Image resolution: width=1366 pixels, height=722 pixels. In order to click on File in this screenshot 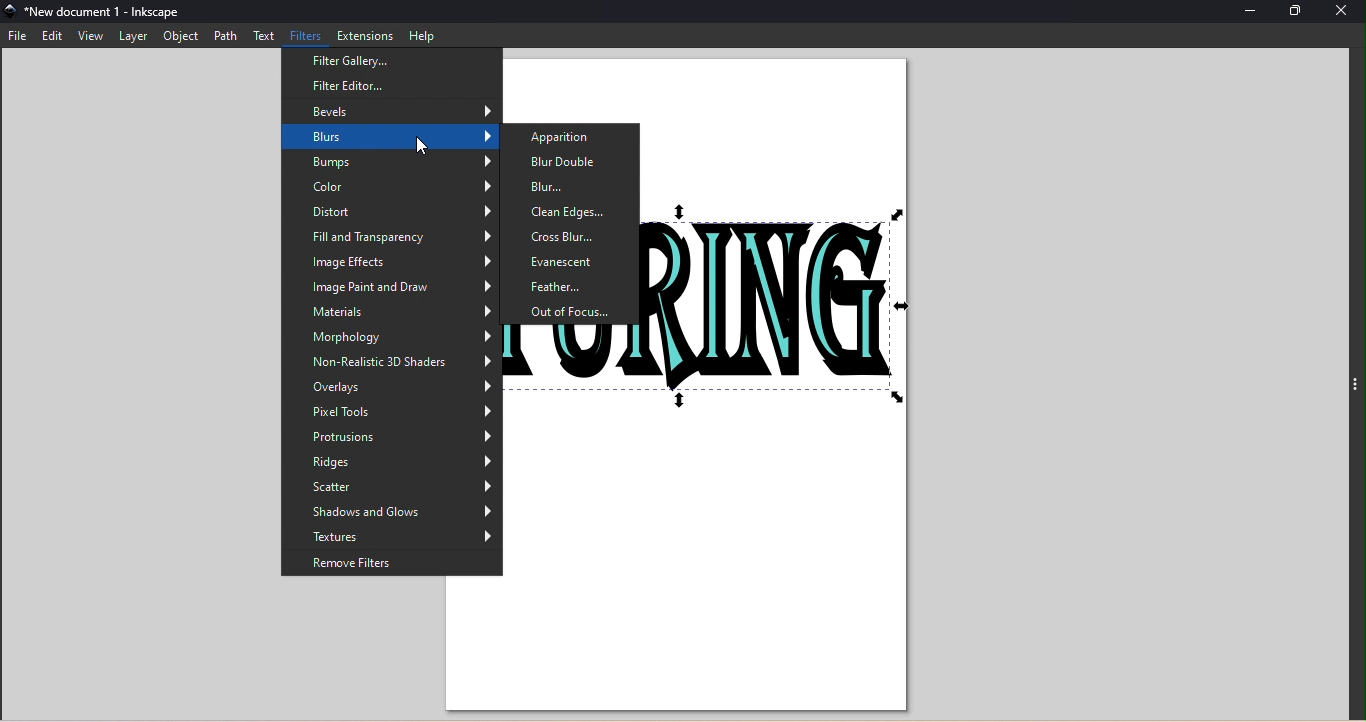, I will do `click(21, 35)`.